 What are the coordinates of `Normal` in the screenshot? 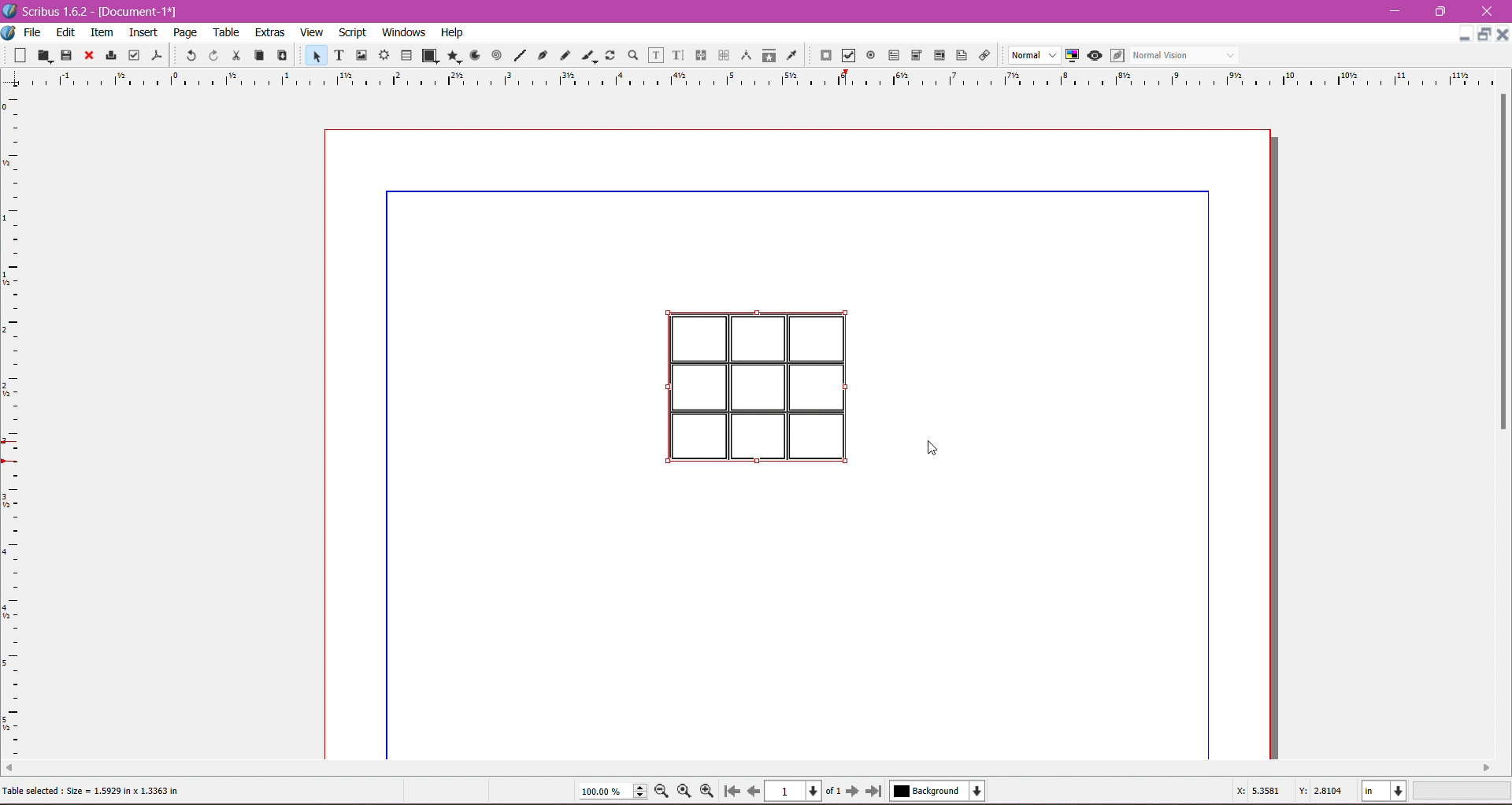 It's located at (1032, 56).